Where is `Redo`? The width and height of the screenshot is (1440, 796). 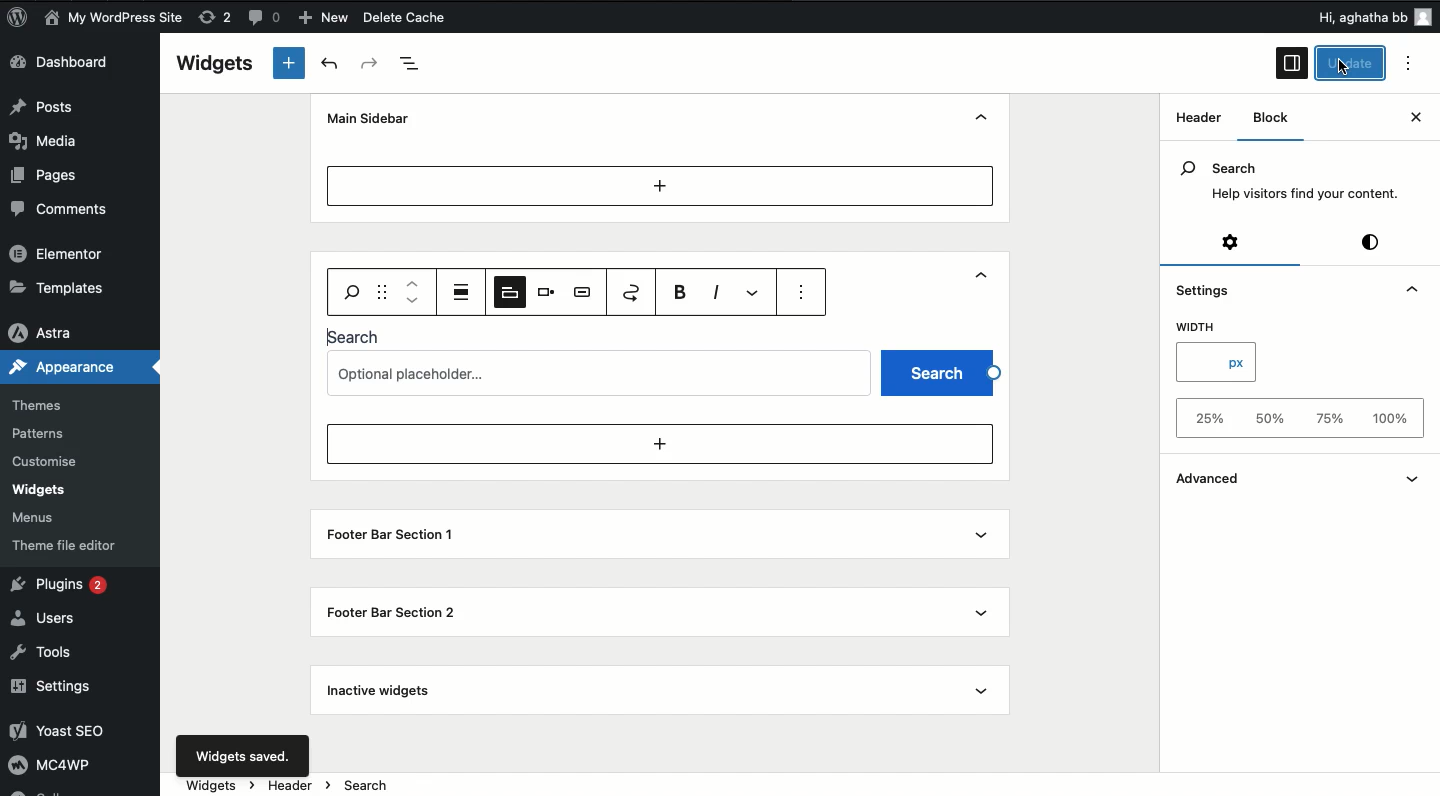 Redo is located at coordinates (370, 63).